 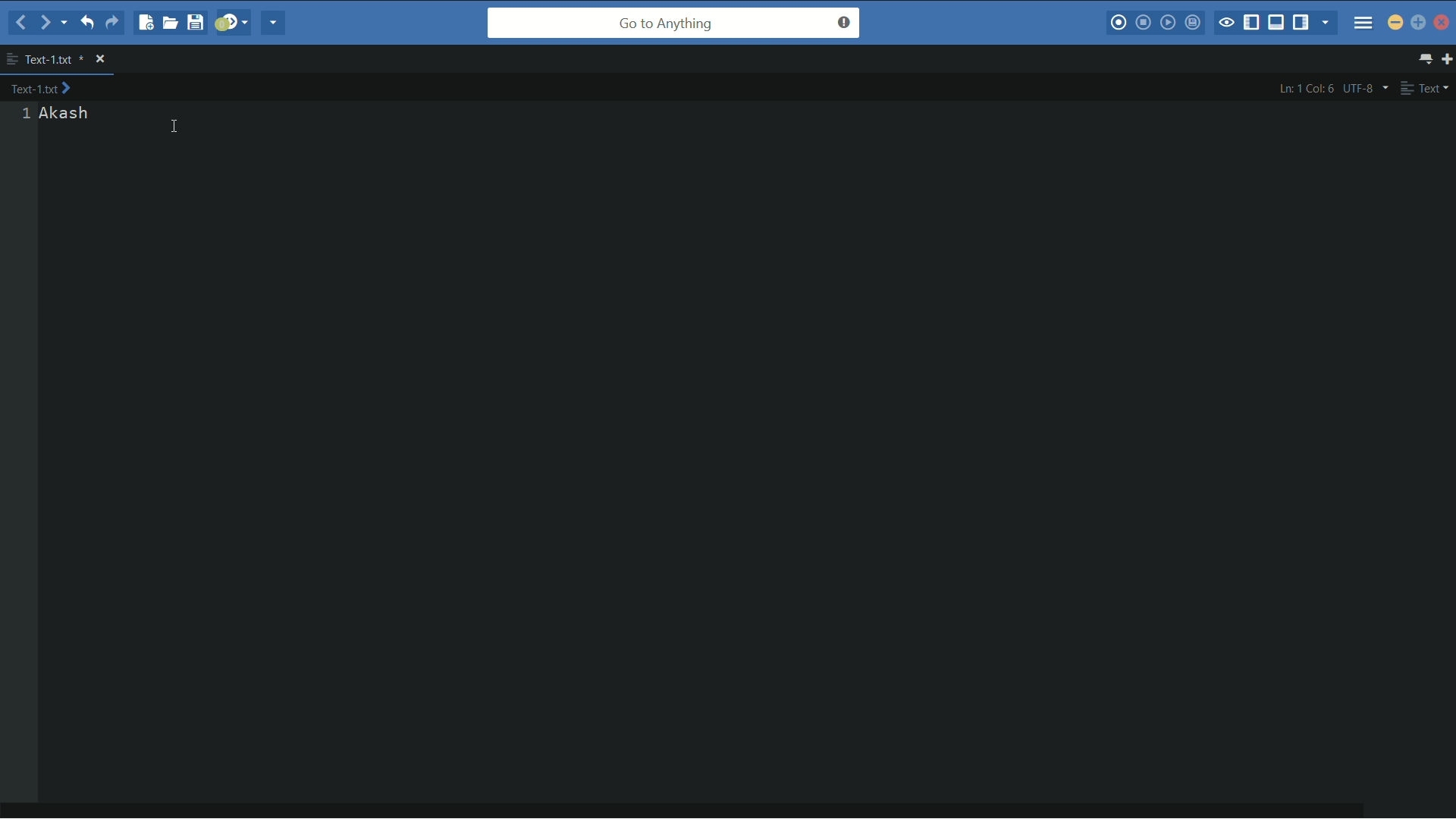 What do you see at coordinates (26, 114) in the screenshot?
I see `line number` at bounding box center [26, 114].